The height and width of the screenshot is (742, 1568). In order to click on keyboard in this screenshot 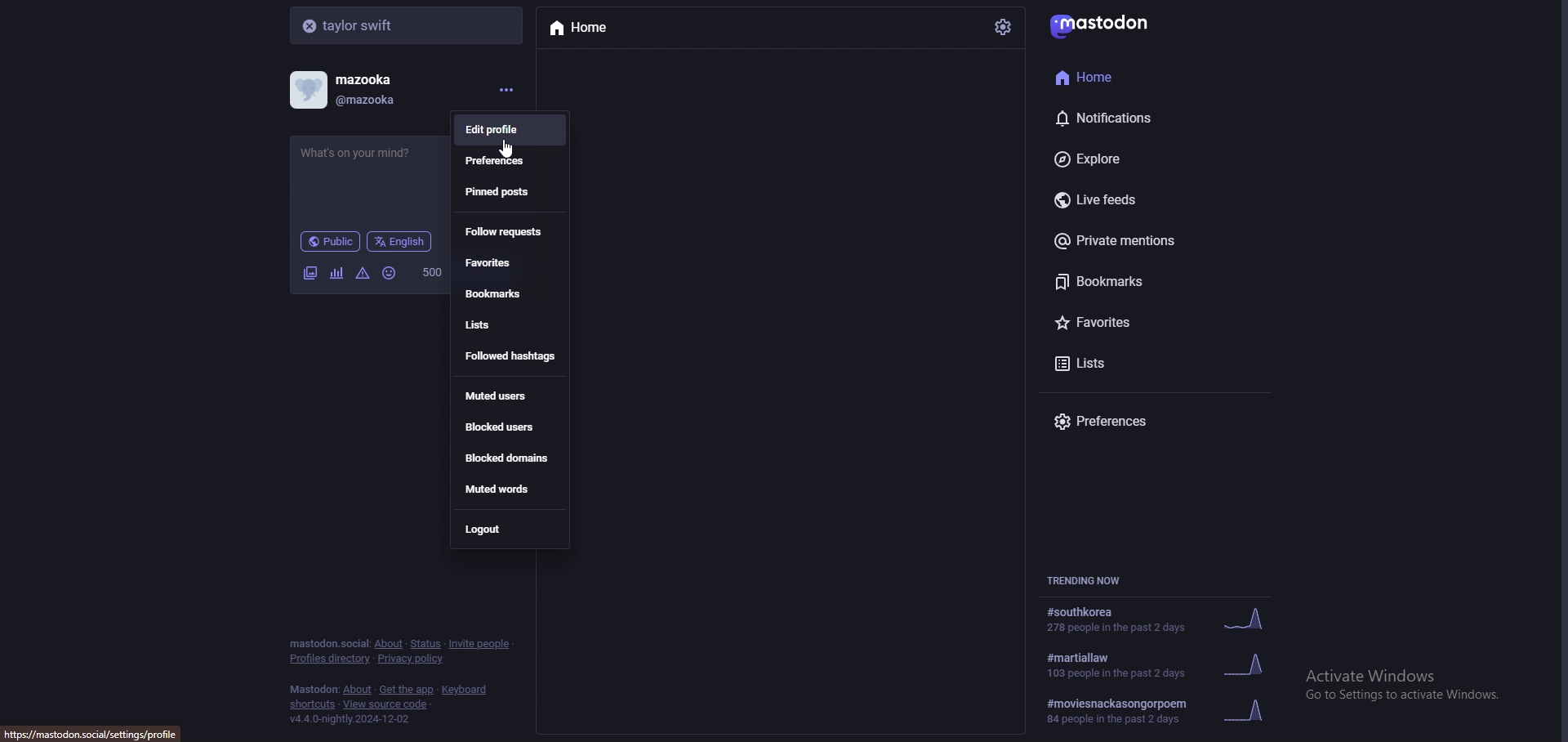, I will do `click(465, 689)`.